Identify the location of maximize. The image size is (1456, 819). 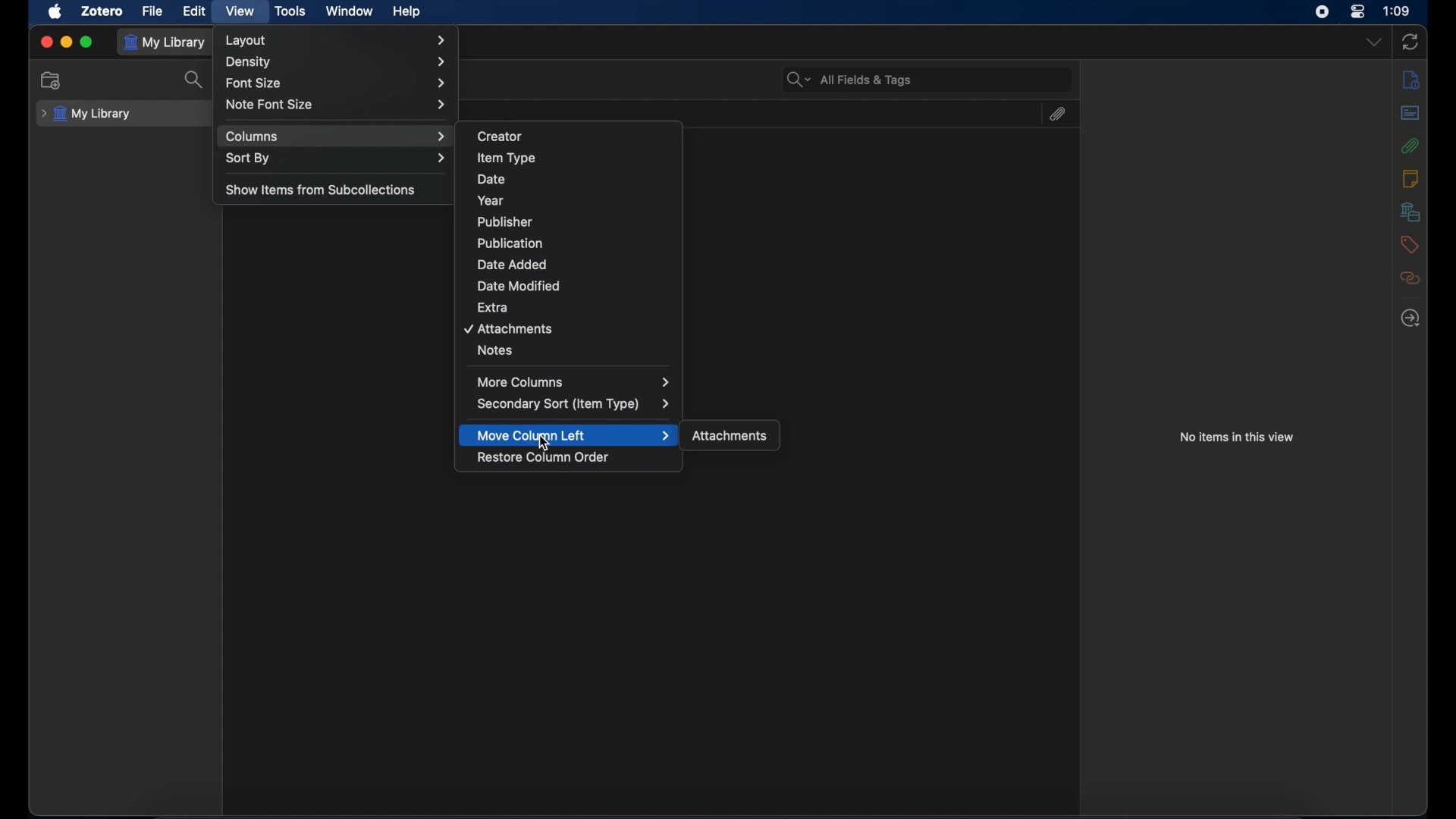
(87, 42).